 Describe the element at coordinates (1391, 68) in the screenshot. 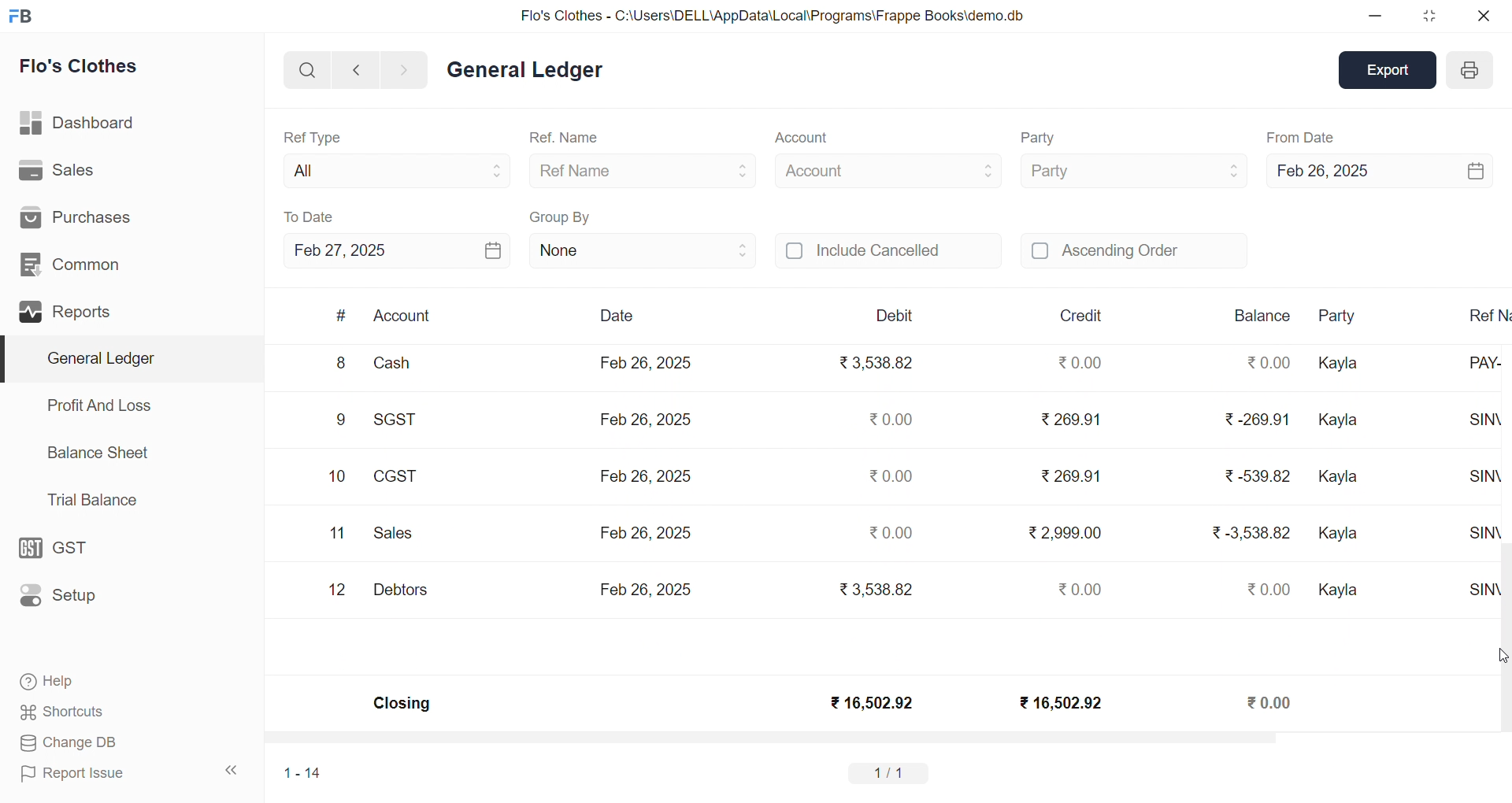

I see `Export` at that location.